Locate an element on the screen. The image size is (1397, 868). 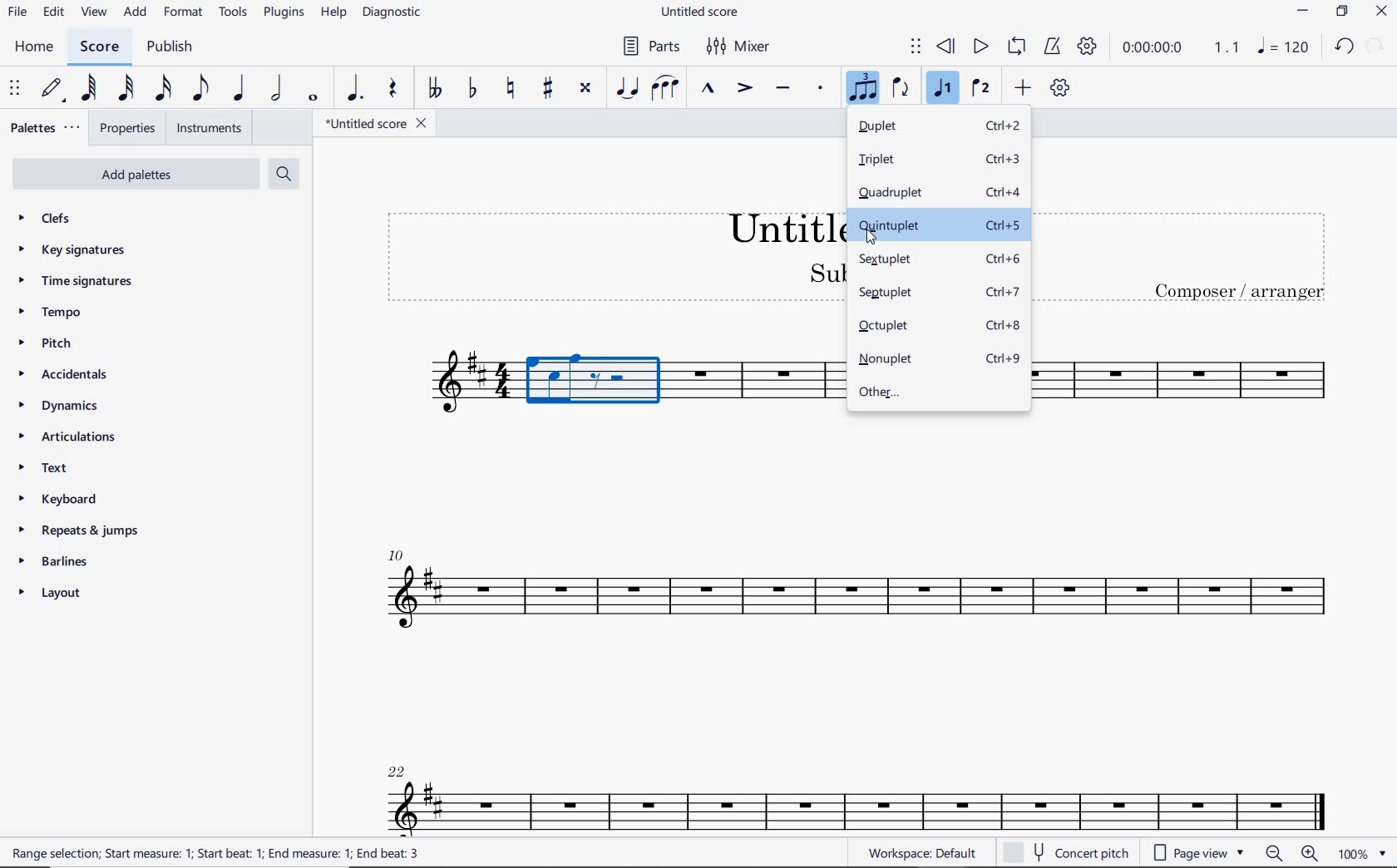
ACCIDENTALS is located at coordinates (74, 375).